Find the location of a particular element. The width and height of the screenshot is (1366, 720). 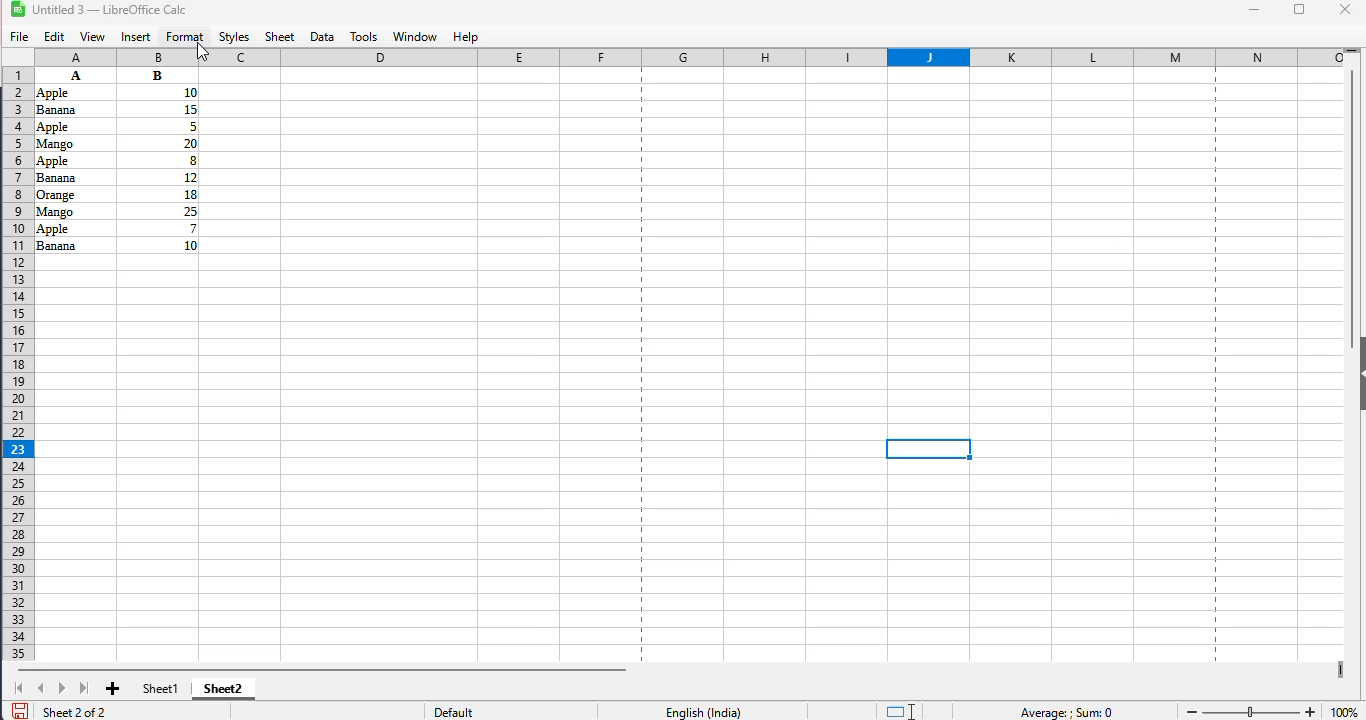

cursor is located at coordinates (202, 52).